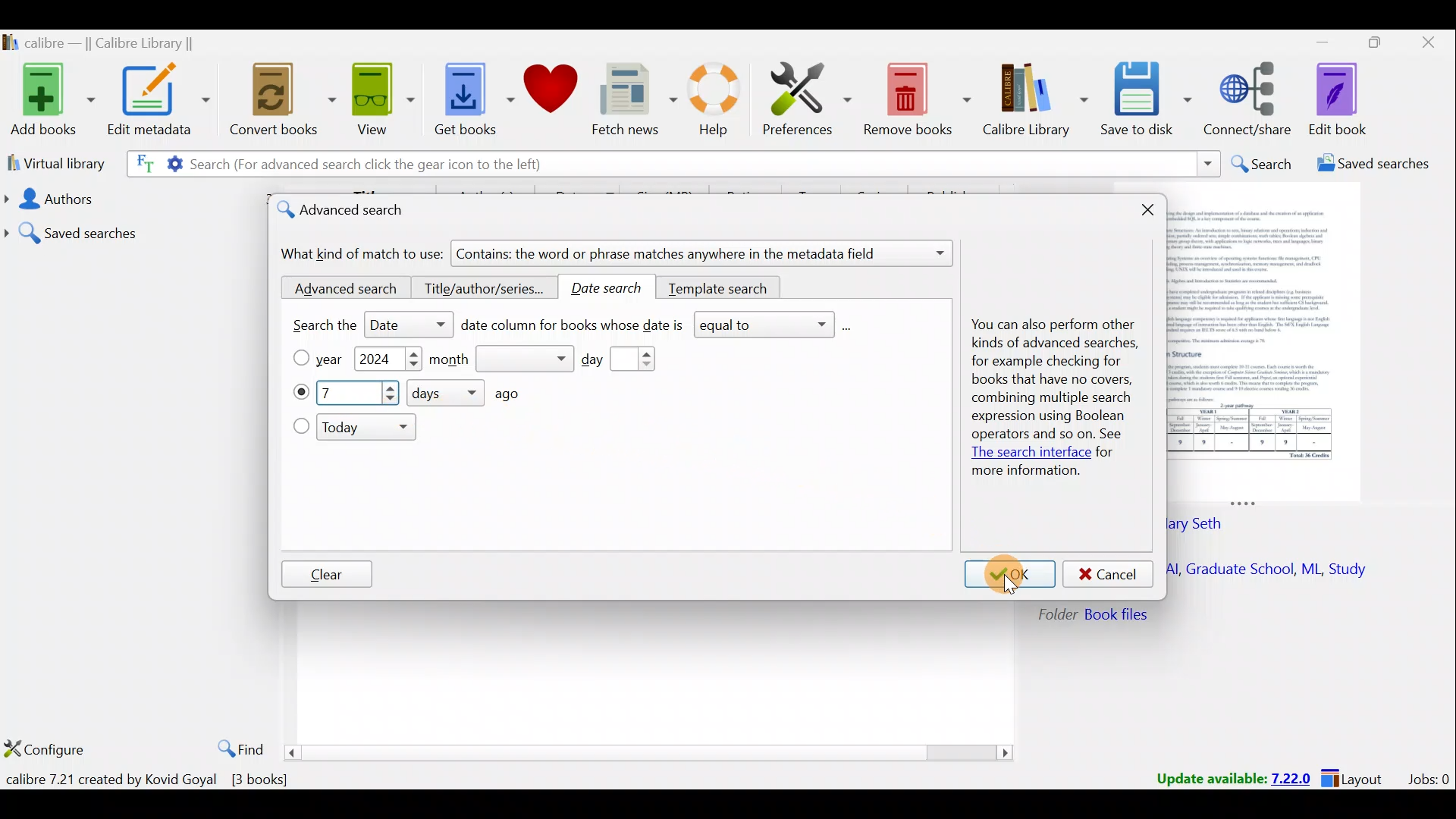 This screenshot has height=819, width=1456. I want to click on What day?, so click(300, 392).